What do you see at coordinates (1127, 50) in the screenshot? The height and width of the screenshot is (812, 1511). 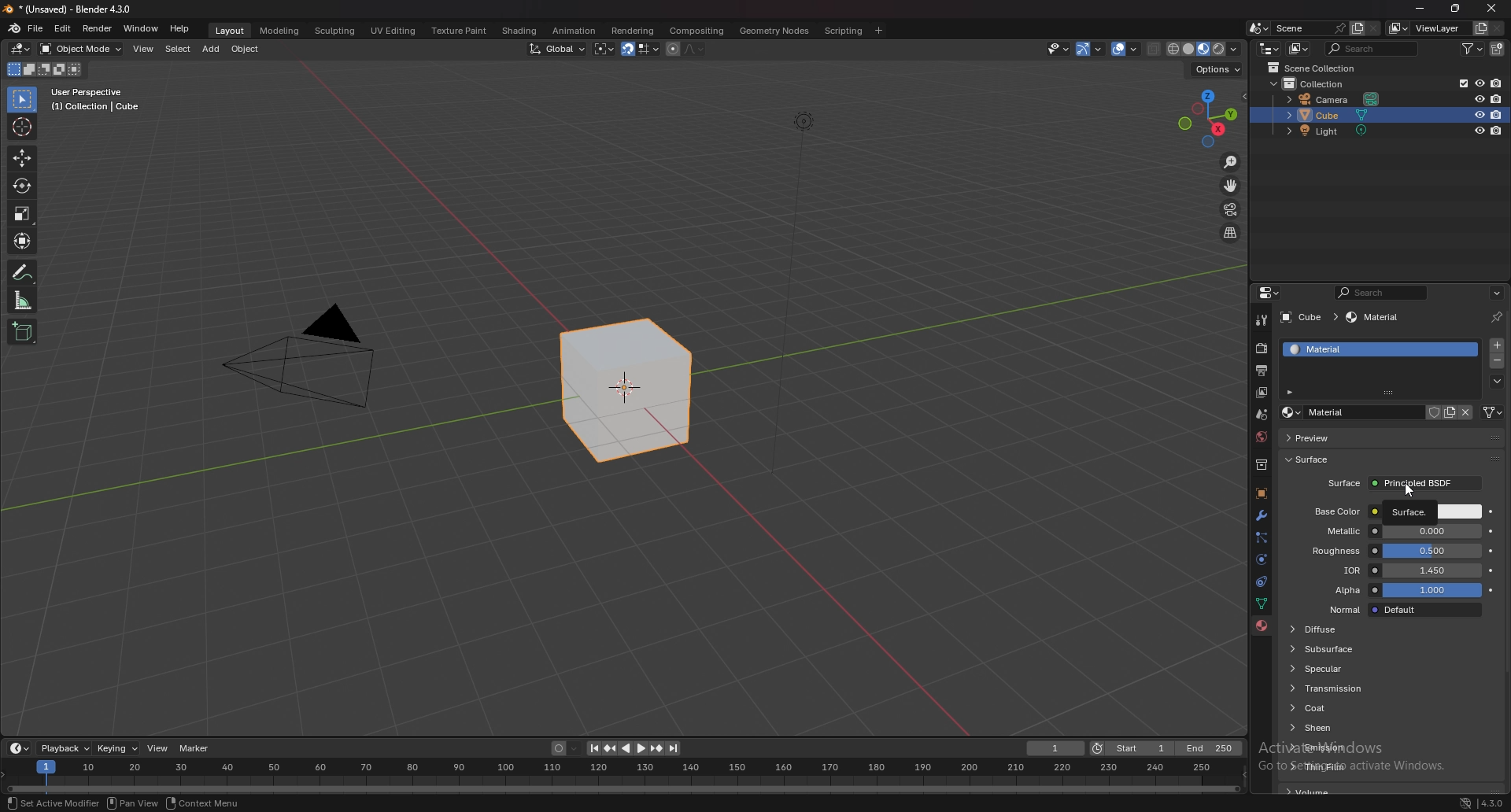 I see `overlays` at bounding box center [1127, 50].